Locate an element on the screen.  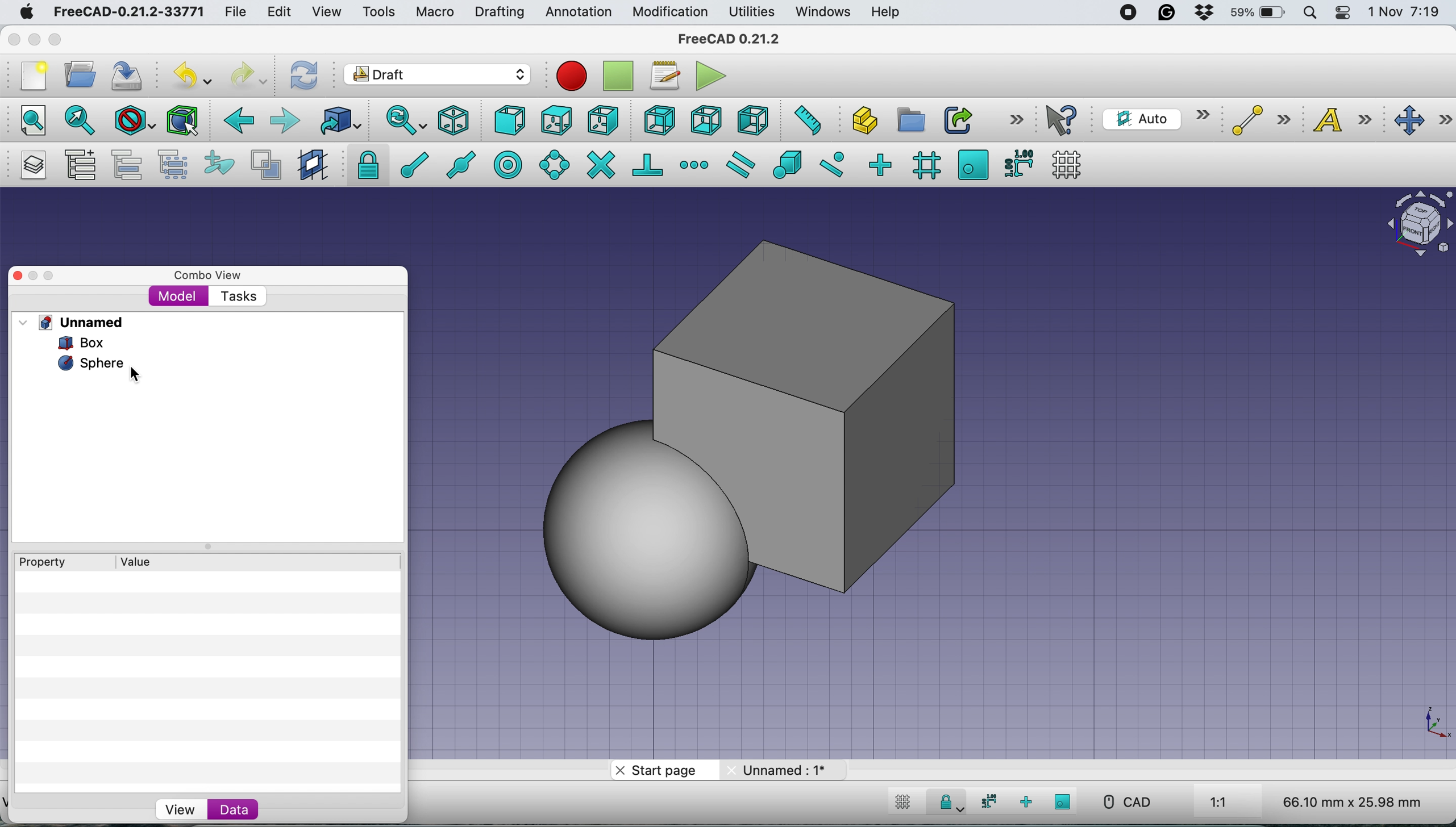
create part is located at coordinates (861, 122).